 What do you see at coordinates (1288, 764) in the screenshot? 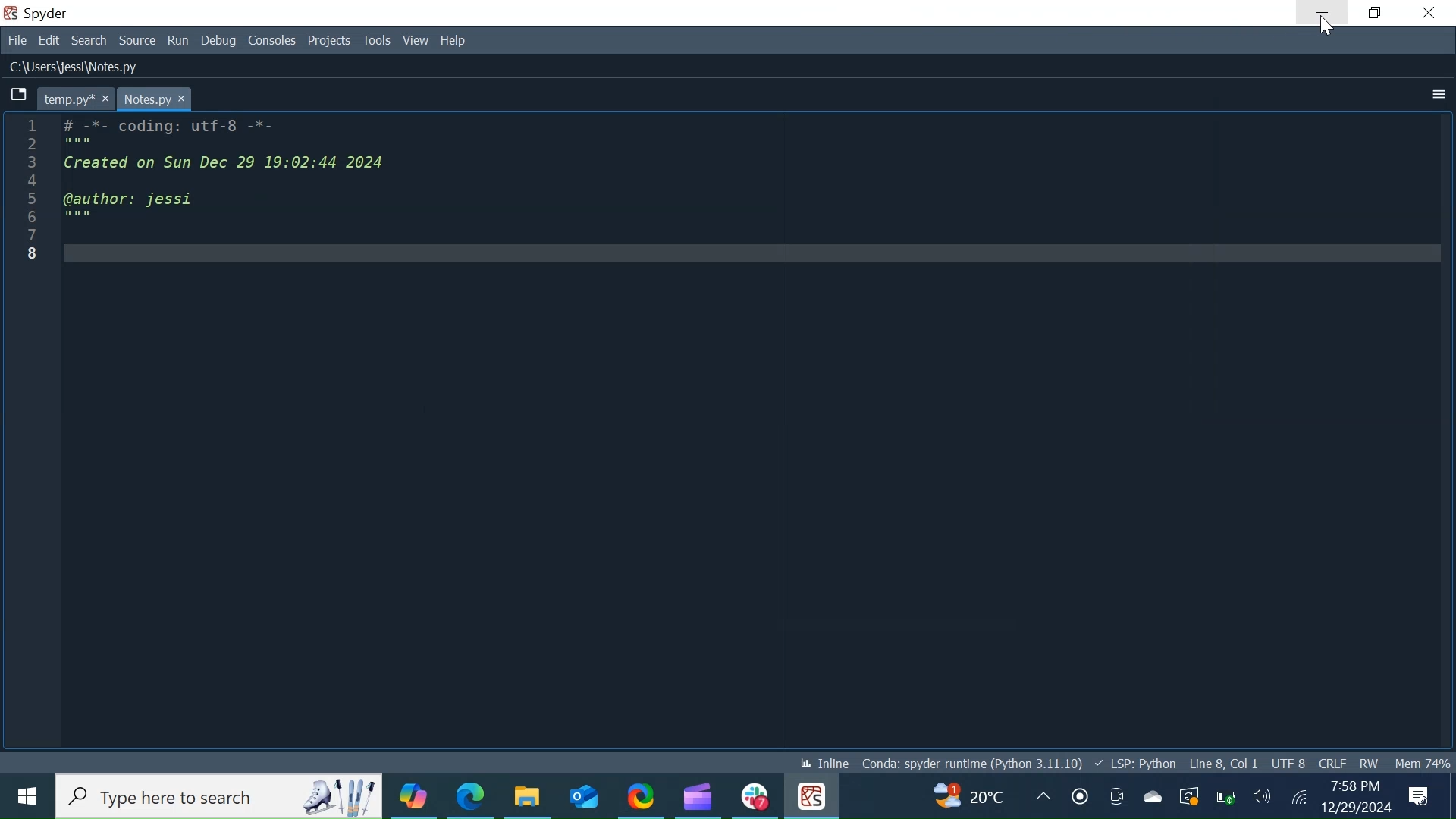
I see `File Encoding` at bounding box center [1288, 764].